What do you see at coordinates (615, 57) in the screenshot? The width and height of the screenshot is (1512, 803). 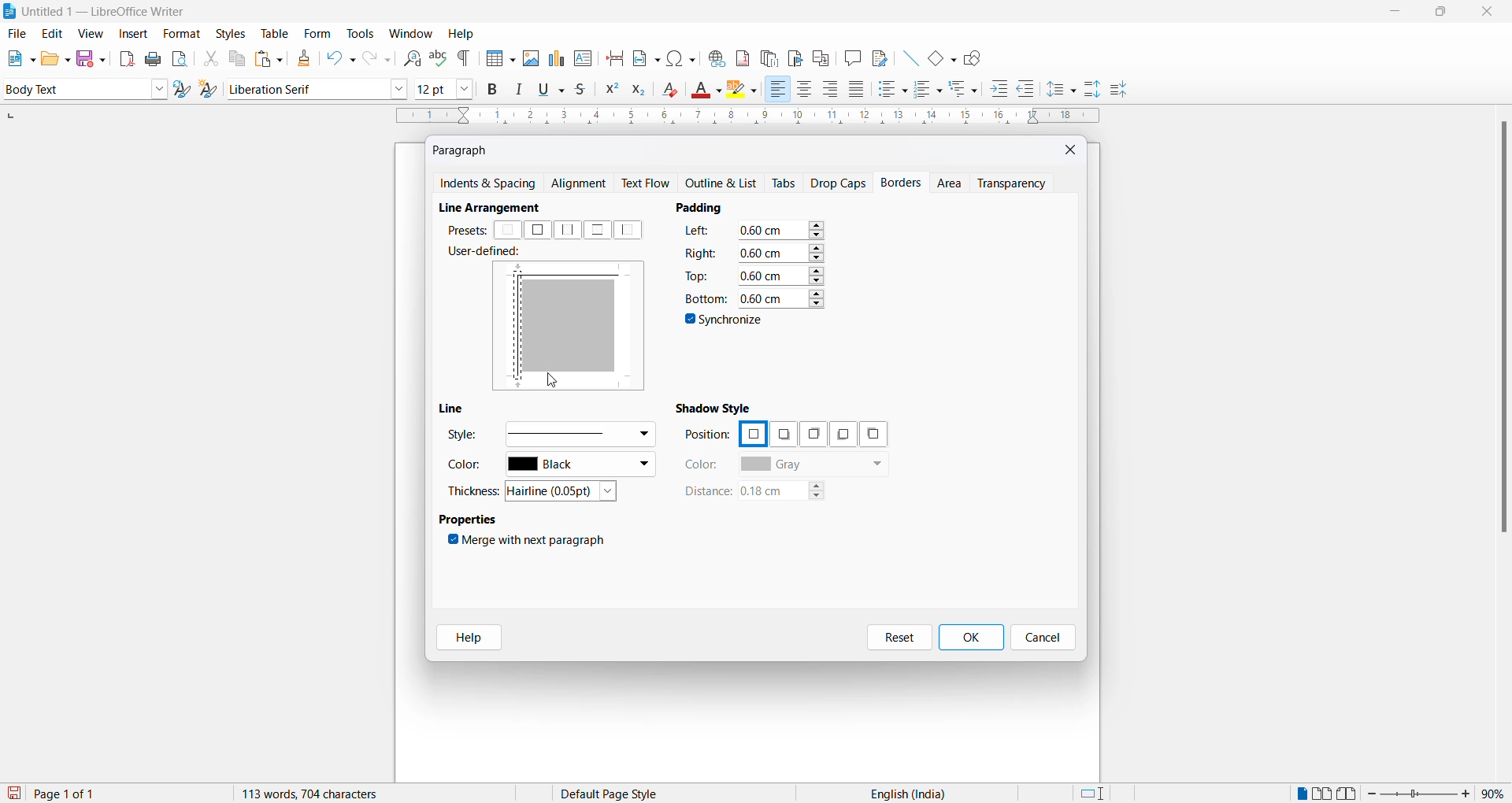 I see `page break` at bounding box center [615, 57].